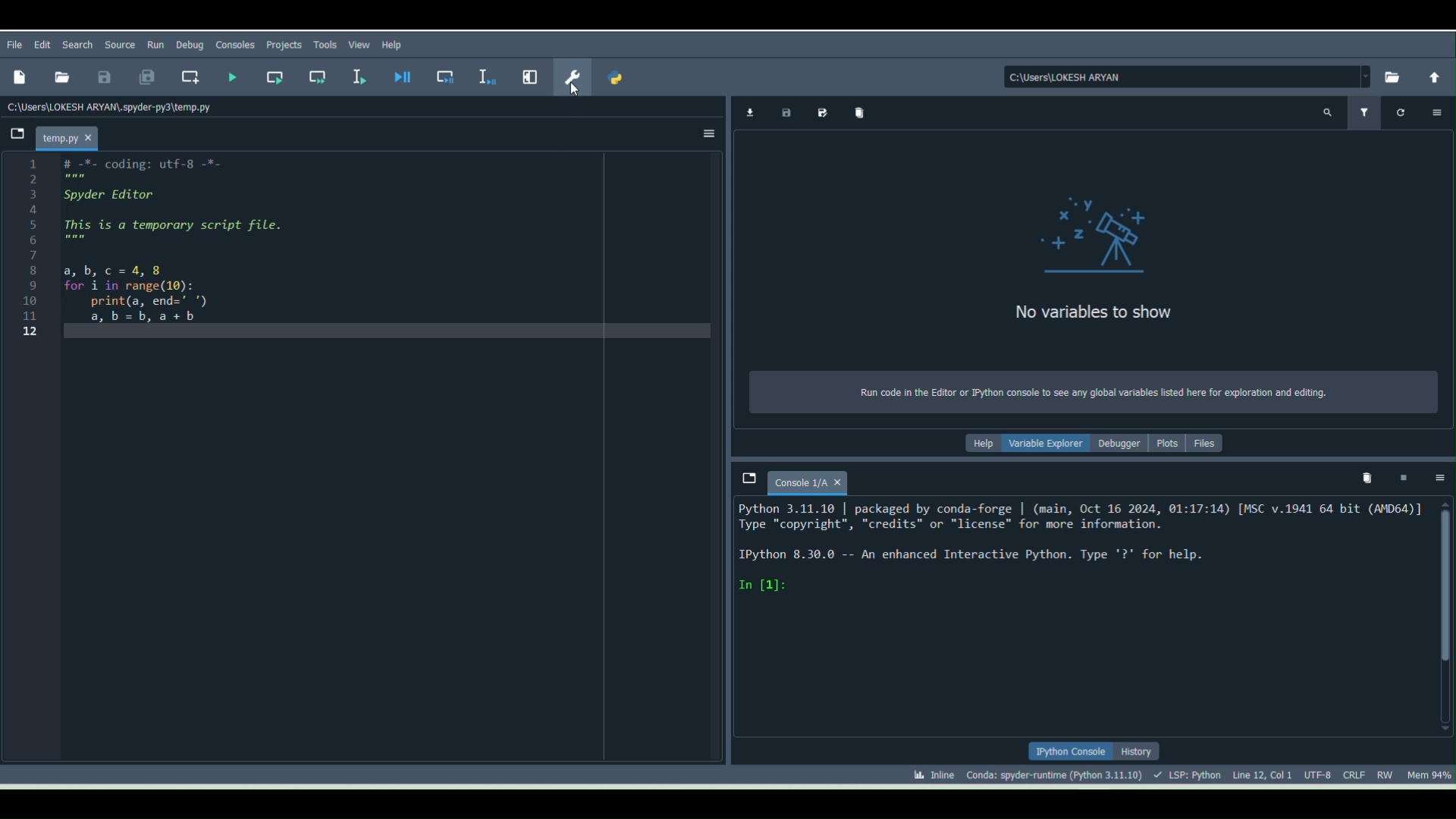  What do you see at coordinates (930, 773) in the screenshot?
I see `Click to toggle between inline and interactive Matplotlib plotting` at bounding box center [930, 773].